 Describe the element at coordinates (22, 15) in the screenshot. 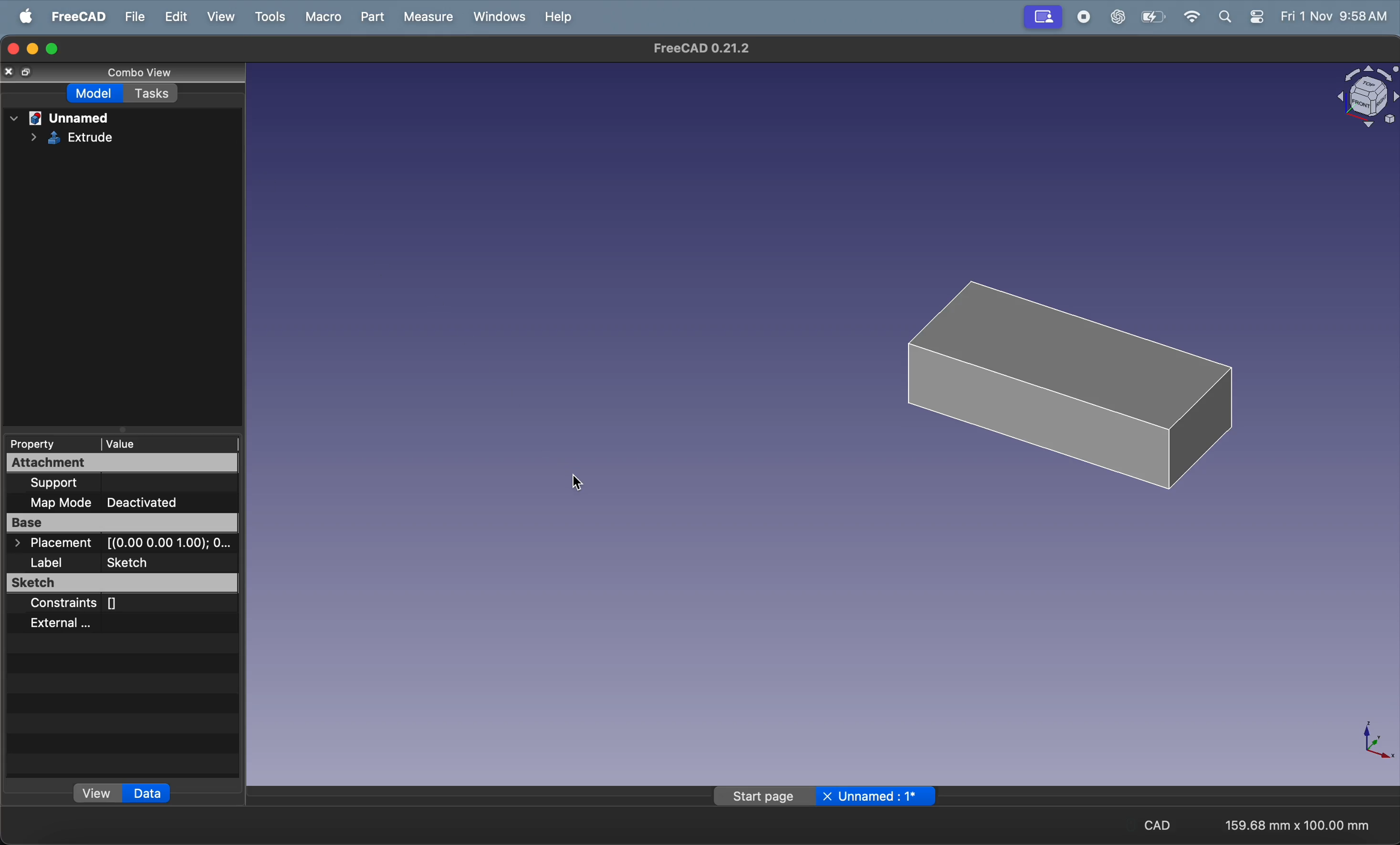

I see `apple menu` at that location.